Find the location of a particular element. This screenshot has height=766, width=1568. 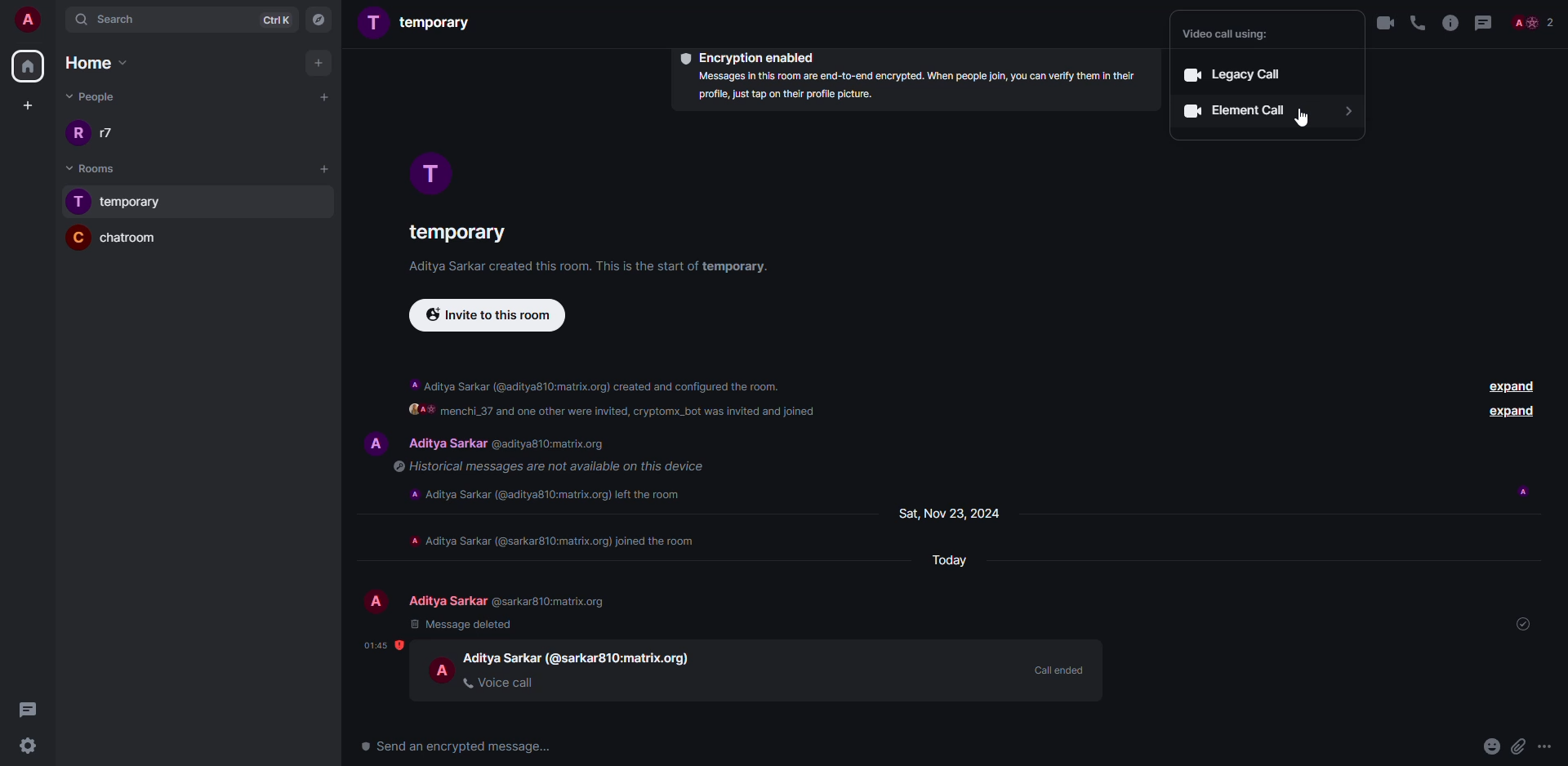

people is located at coordinates (501, 657).